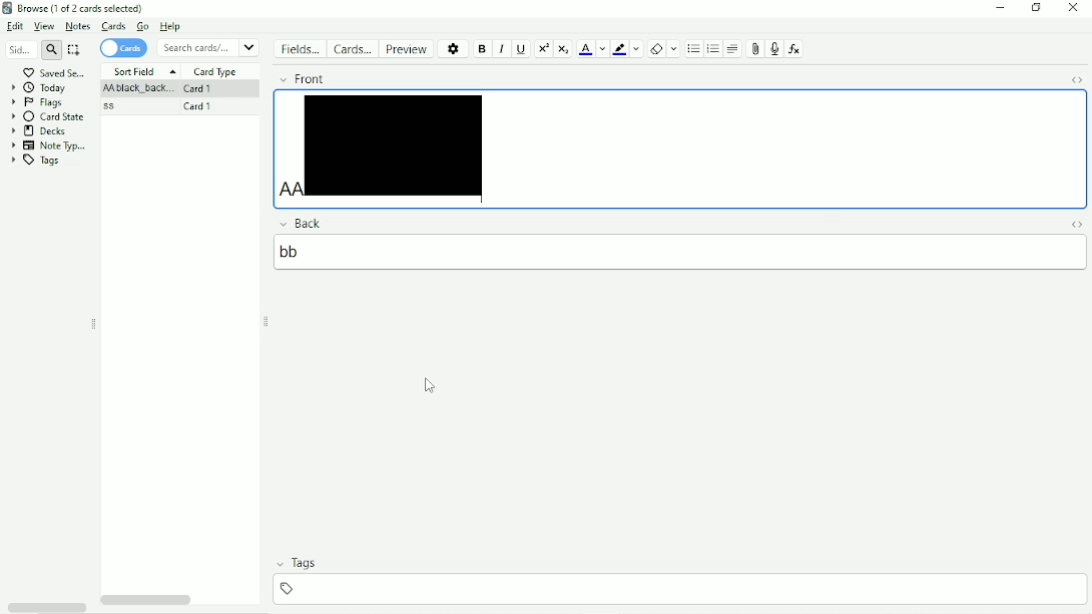 The height and width of the screenshot is (614, 1092). I want to click on Subscript, so click(565, 50).